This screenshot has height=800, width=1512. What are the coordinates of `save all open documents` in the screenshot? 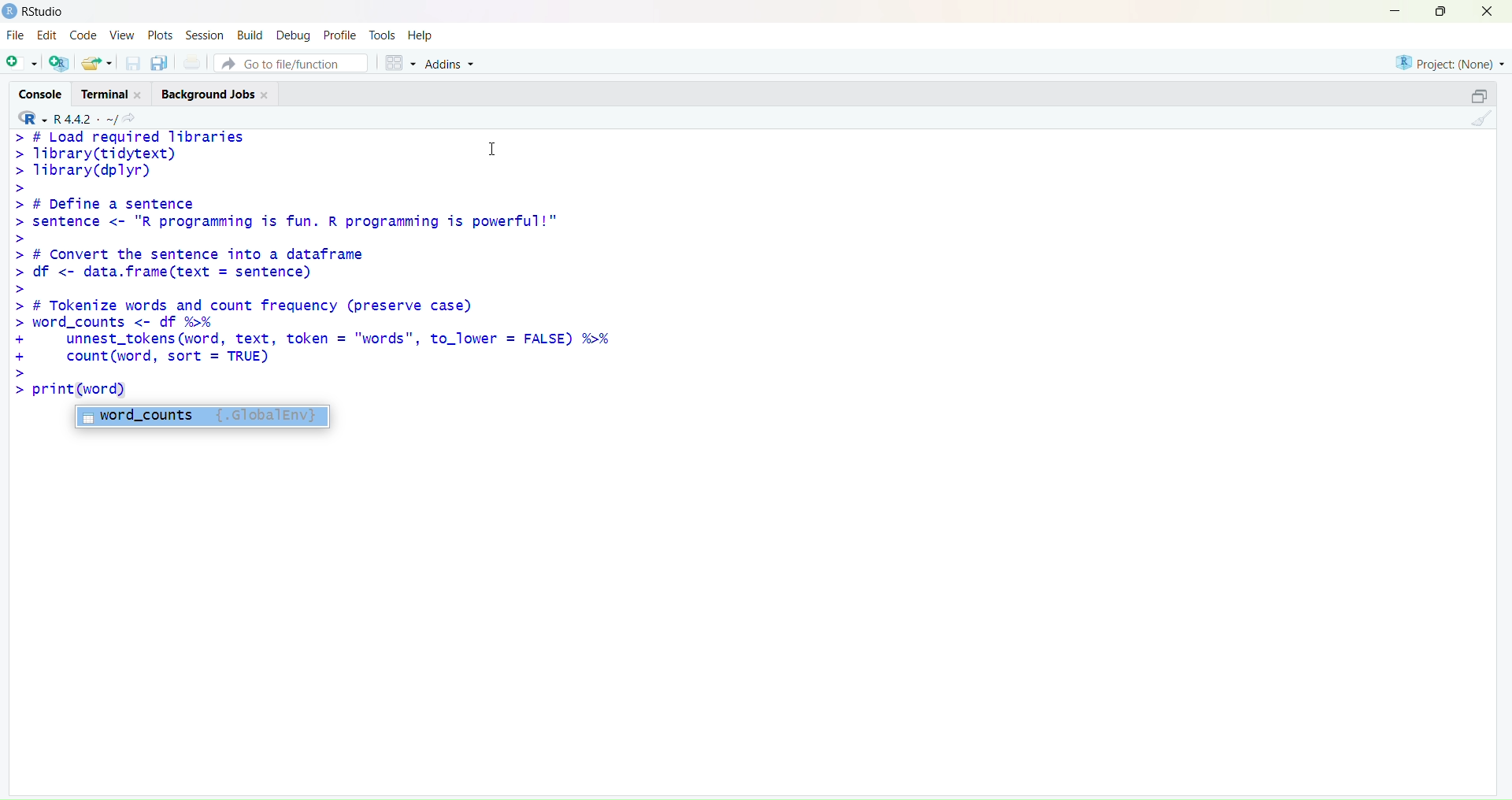 It's located at (161, 63).